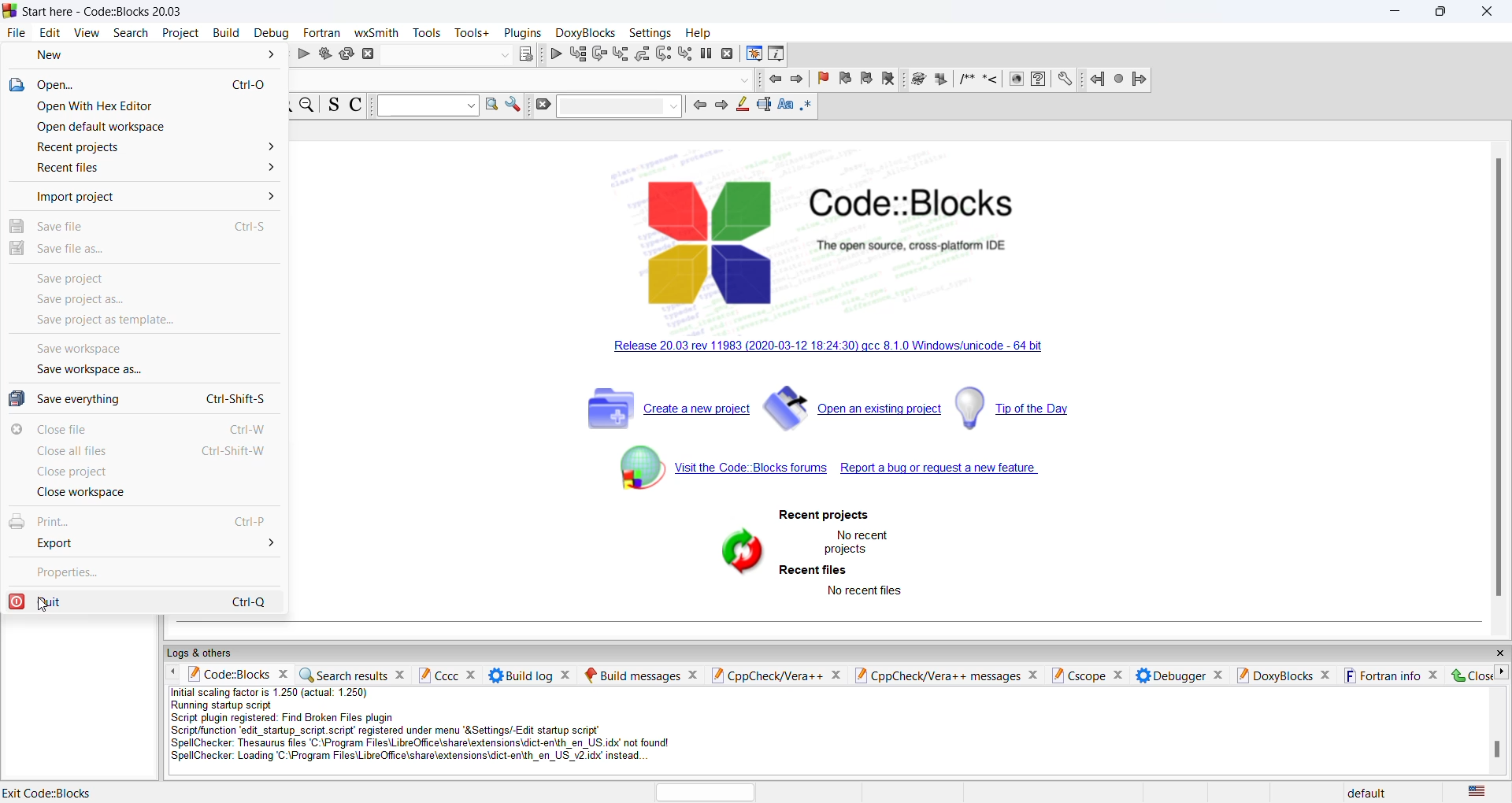  Describe the element at coordinates (699, 106) in the screenshot. I see `prev` at that location.